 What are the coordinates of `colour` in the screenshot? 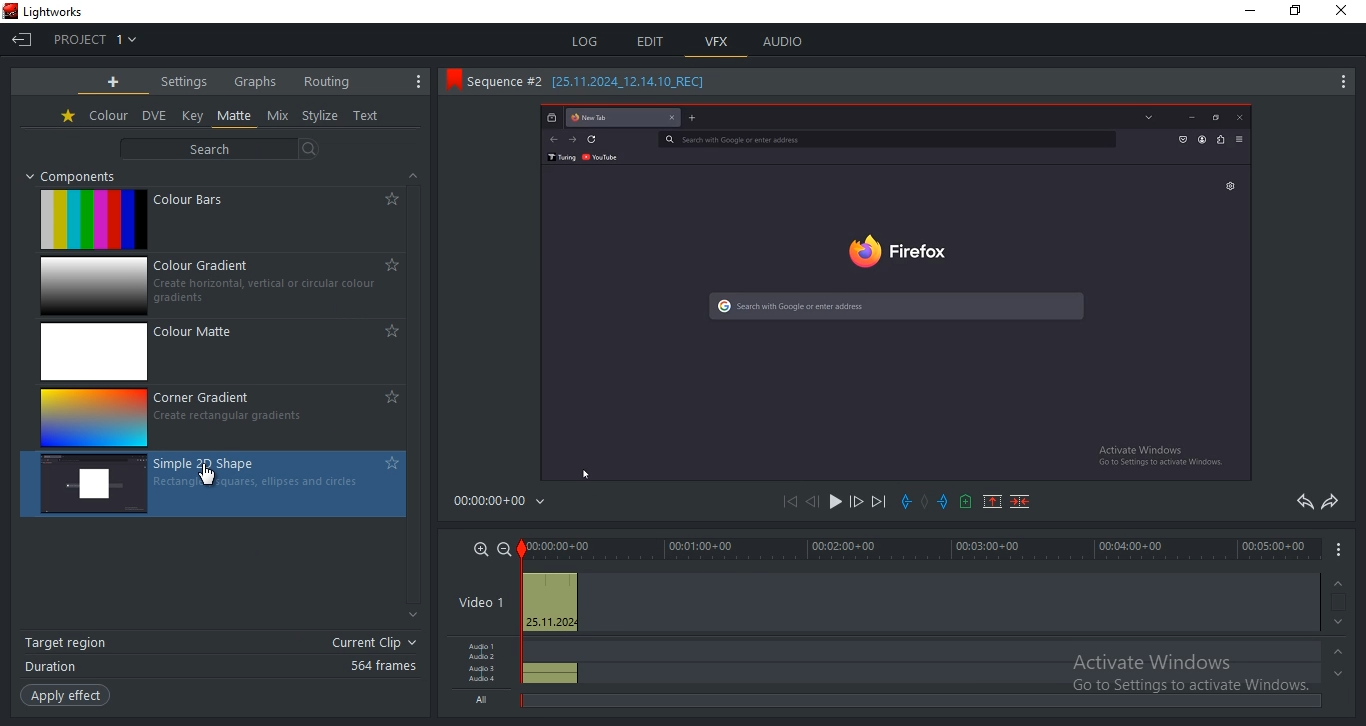 It's located at (109, 116).